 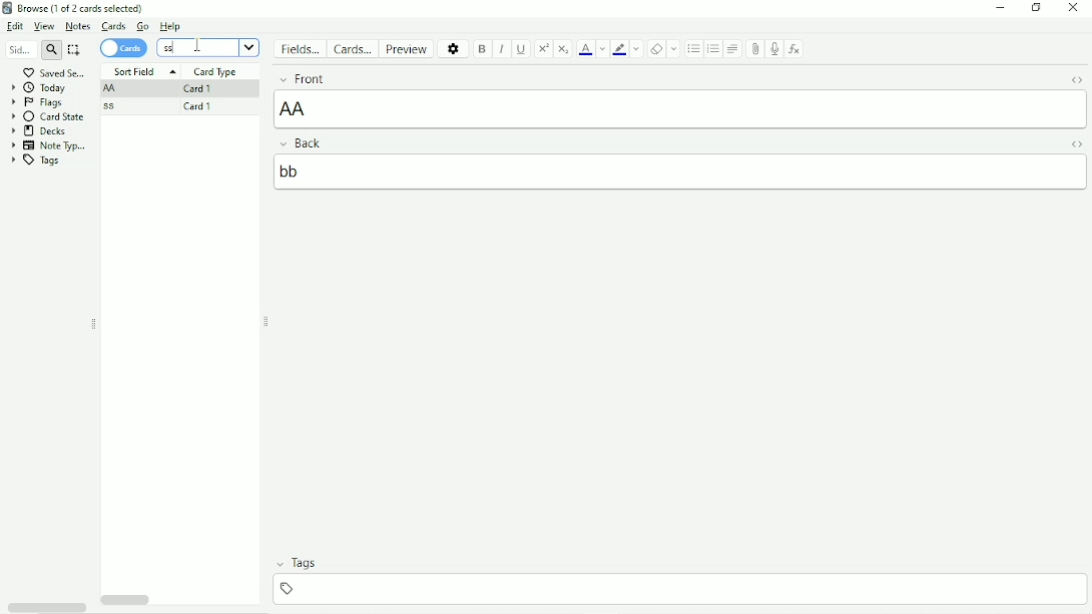 I want to click on Subscript, so click(x=564, y=49).